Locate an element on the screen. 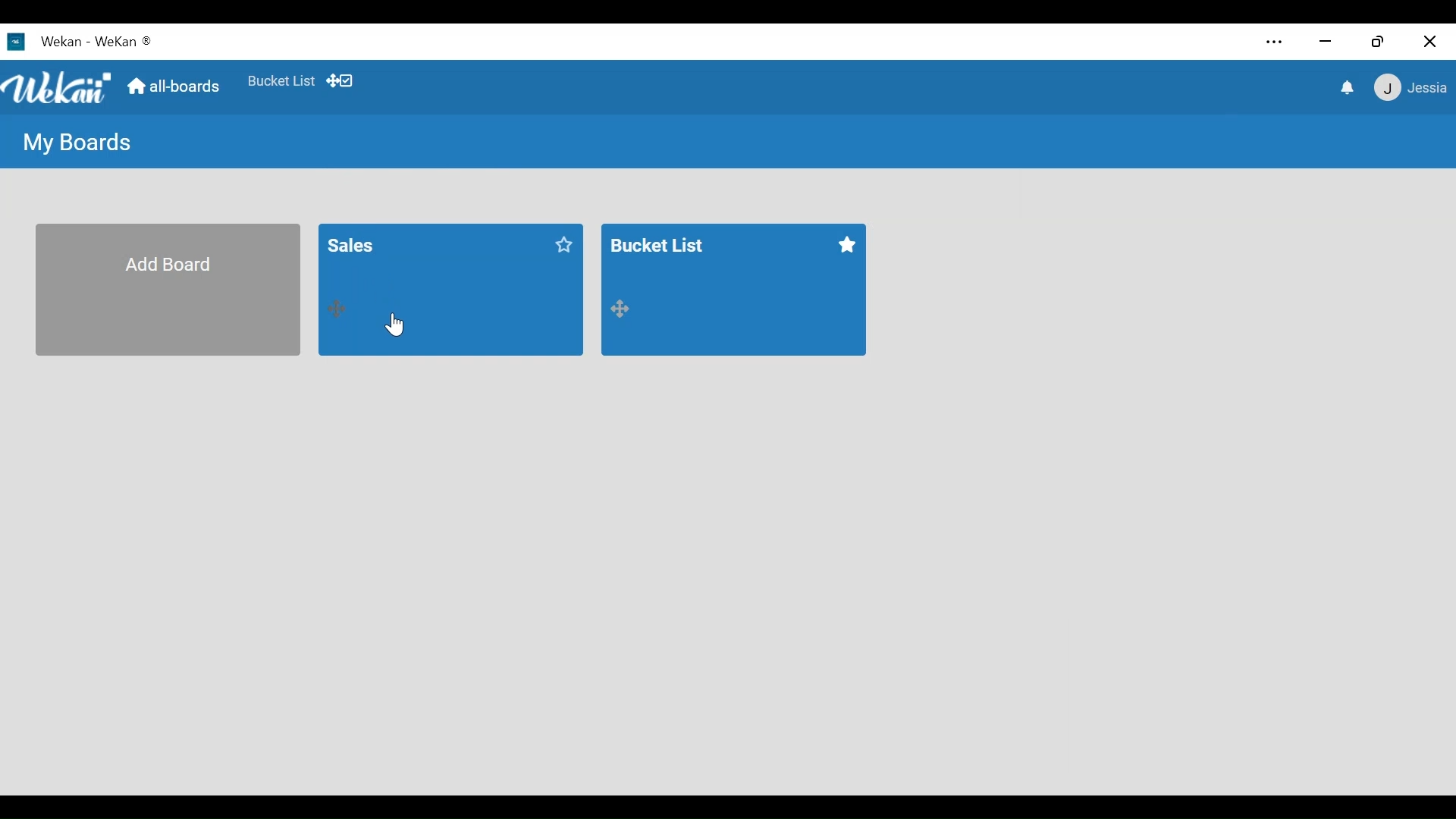 This screenshot has height=819, width=1456. star is located at coordinates (563, 246).